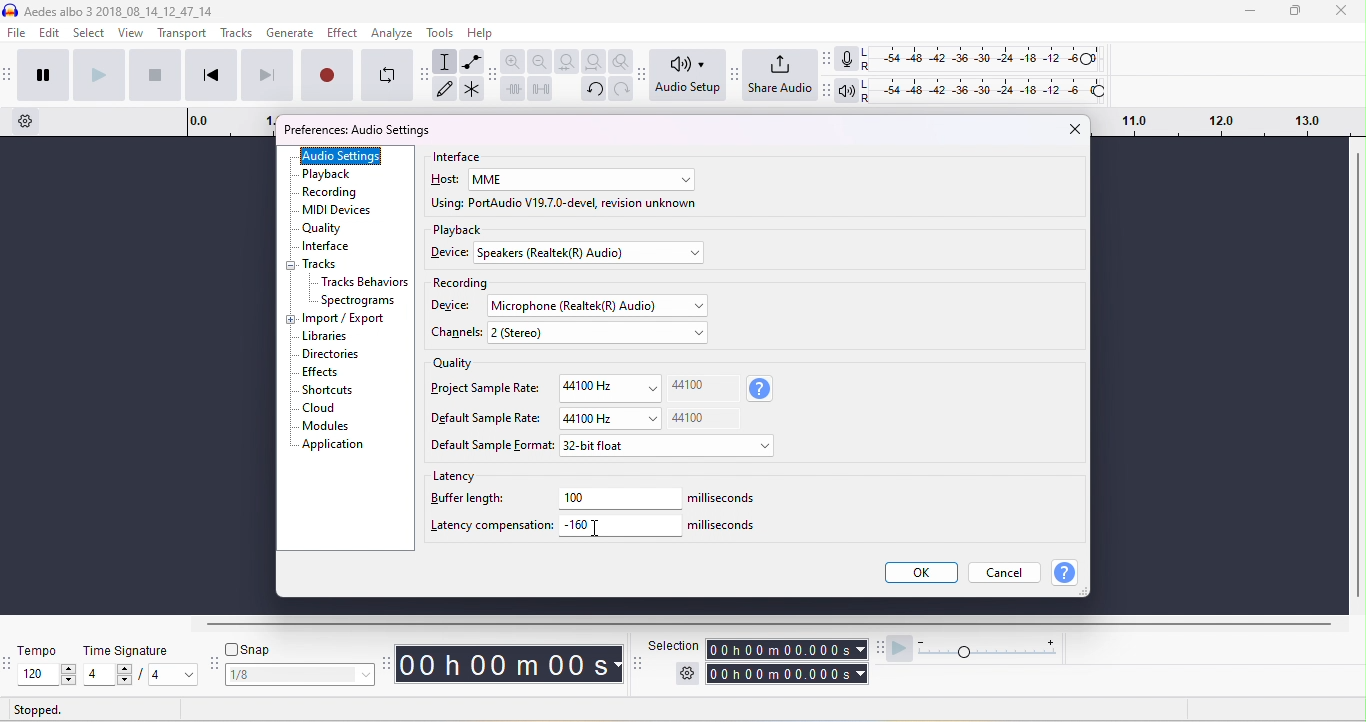 The height and width of the screenshot is (722, 1366). Describe the element at coordinates (622, 89) in the screenshot. I see `redo` at that location.